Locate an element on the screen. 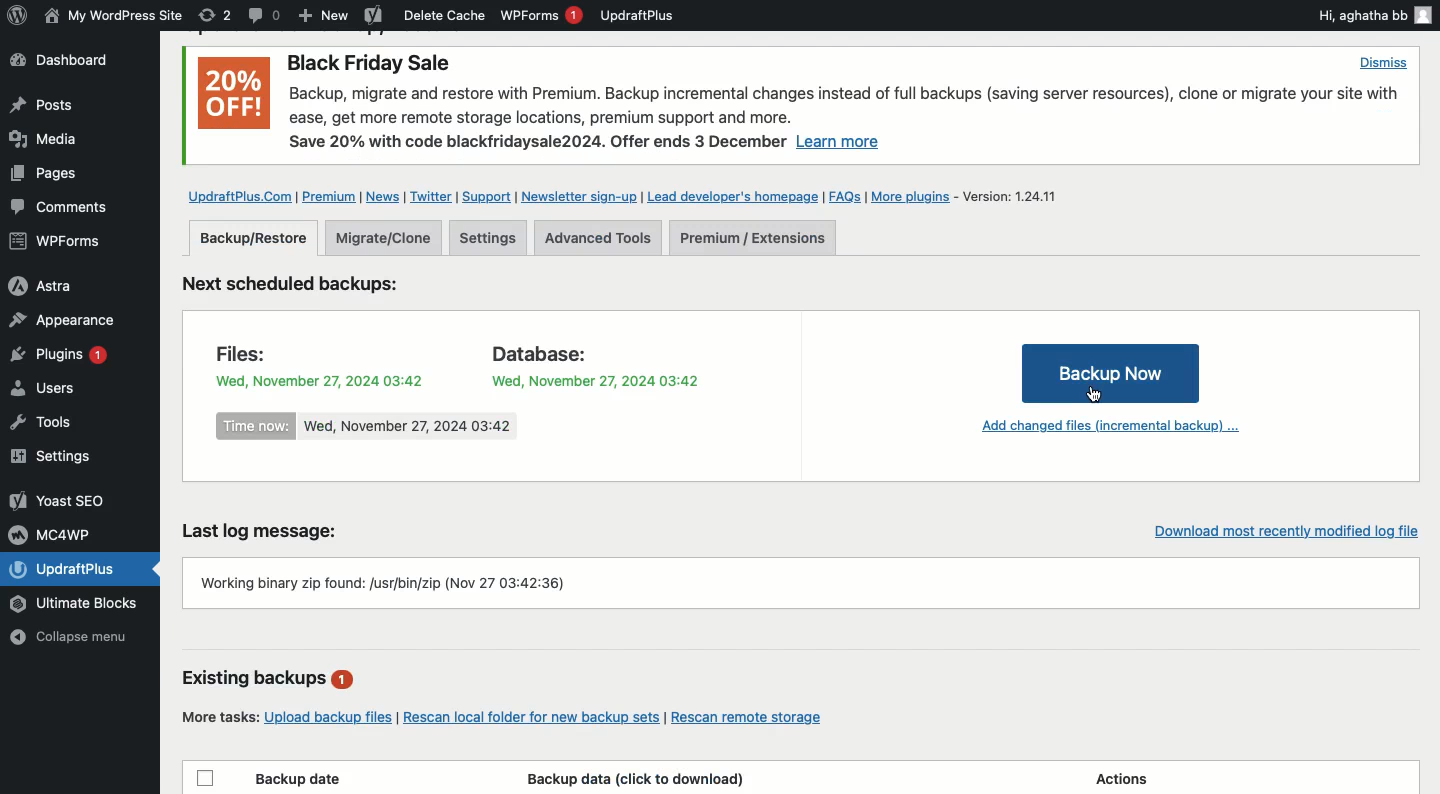 This screenshot has height=794, width=1440. Premium extensions is located at coordinates (754, 239).